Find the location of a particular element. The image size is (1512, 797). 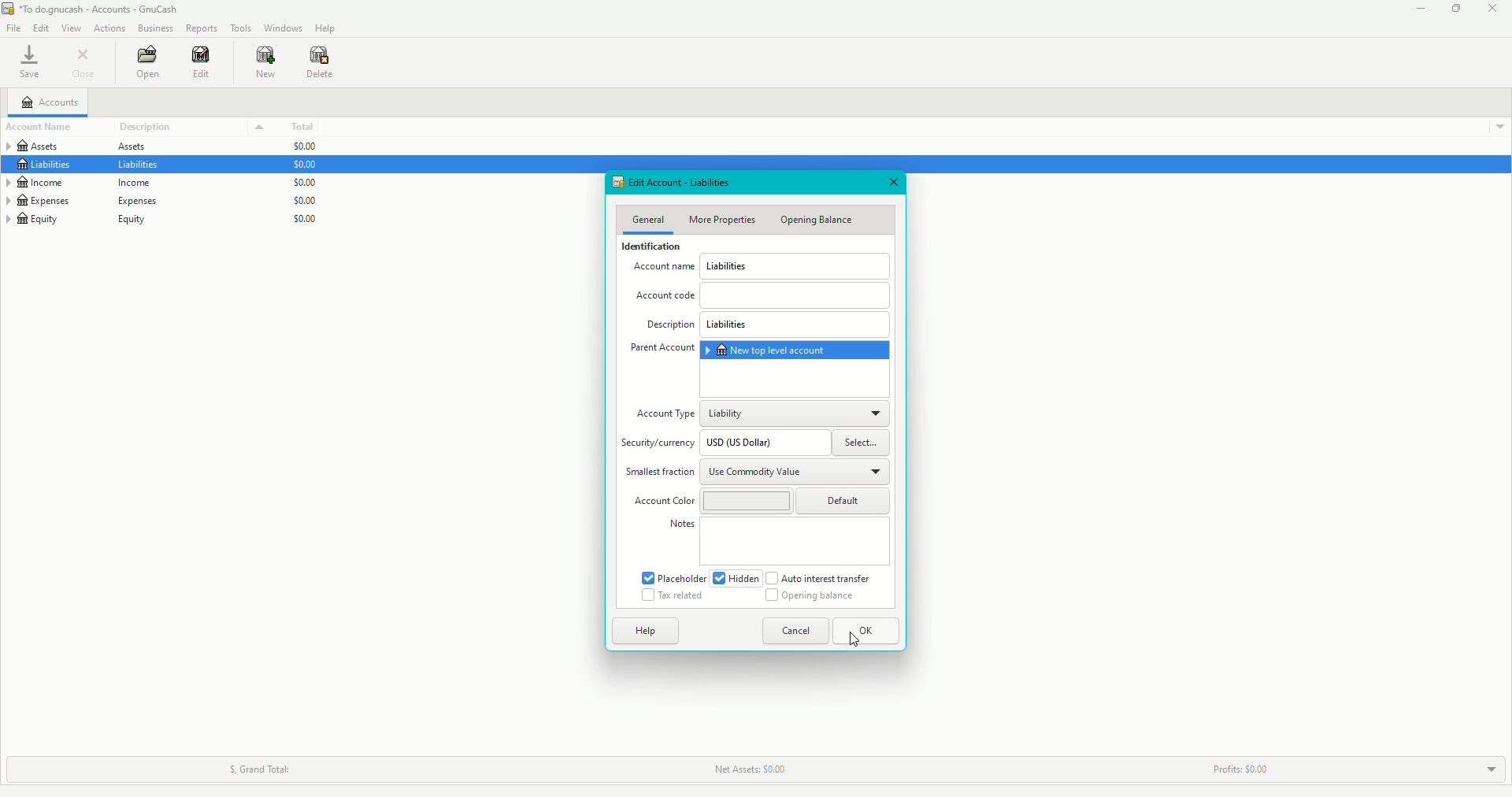

Notes is located at coordinates (682, 525).